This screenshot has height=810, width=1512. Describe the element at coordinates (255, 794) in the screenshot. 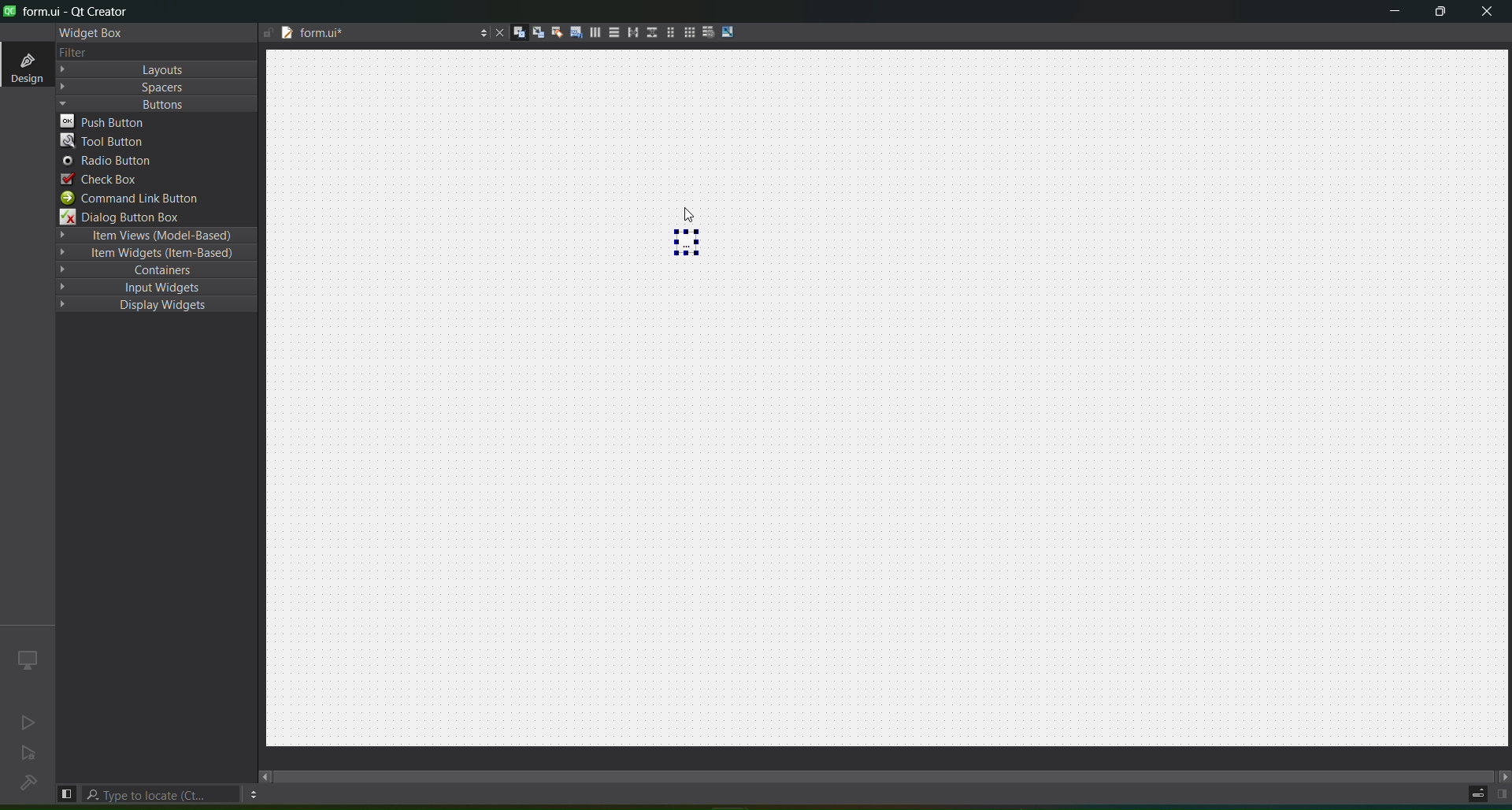

I see `options` at that location.